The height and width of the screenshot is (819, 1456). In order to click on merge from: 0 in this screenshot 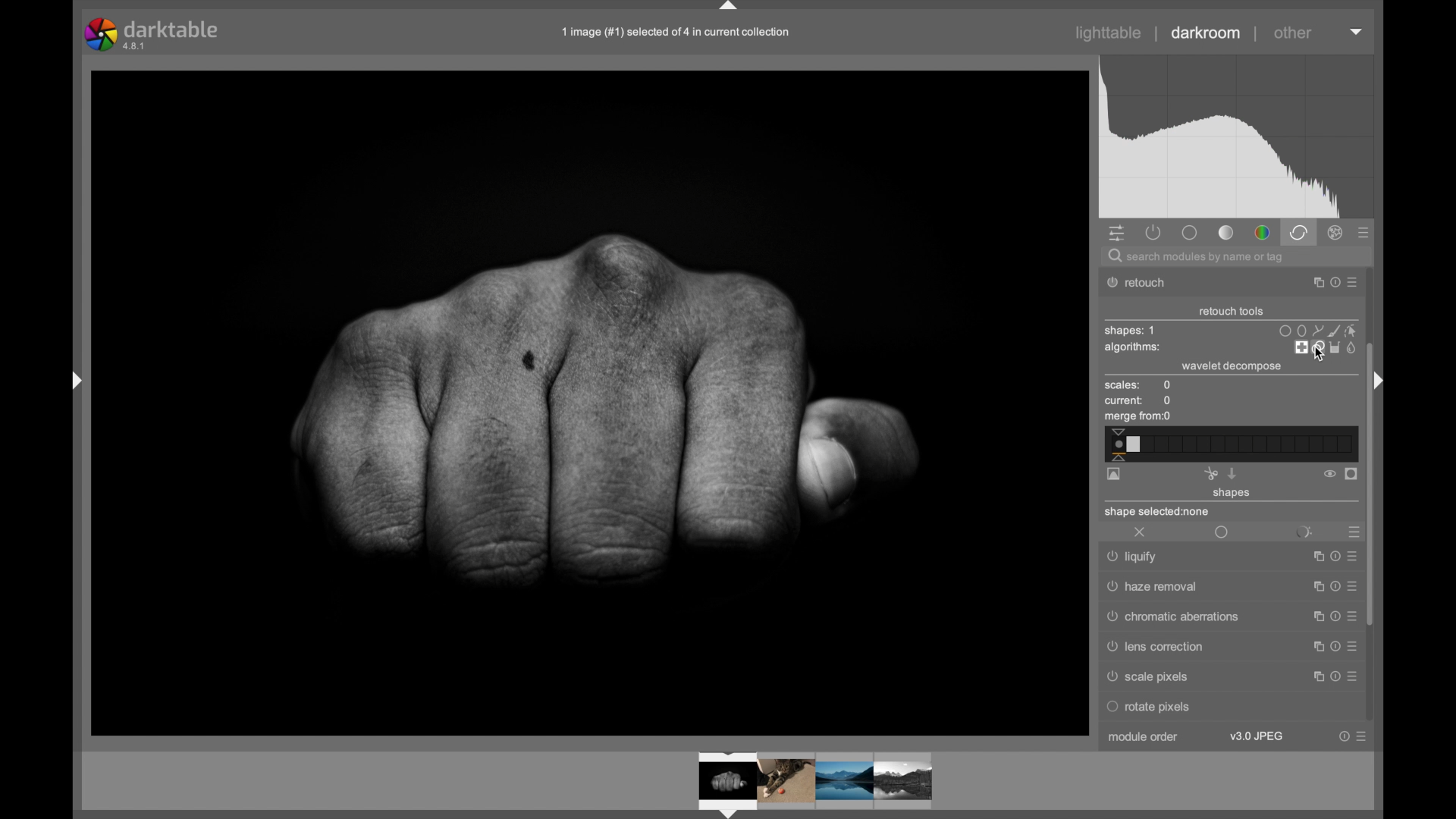, I will do `click(1138, 418)`.